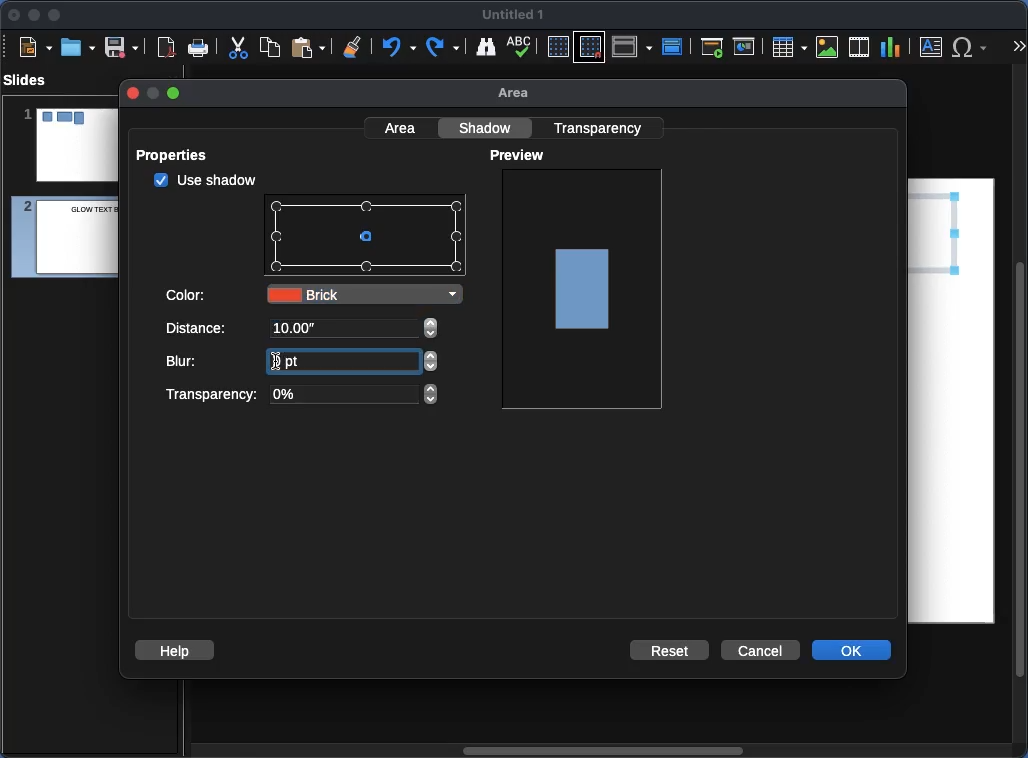 The width and height of the screenshot is (1028, 758). I want to click on Display grid, so click(557, 48).